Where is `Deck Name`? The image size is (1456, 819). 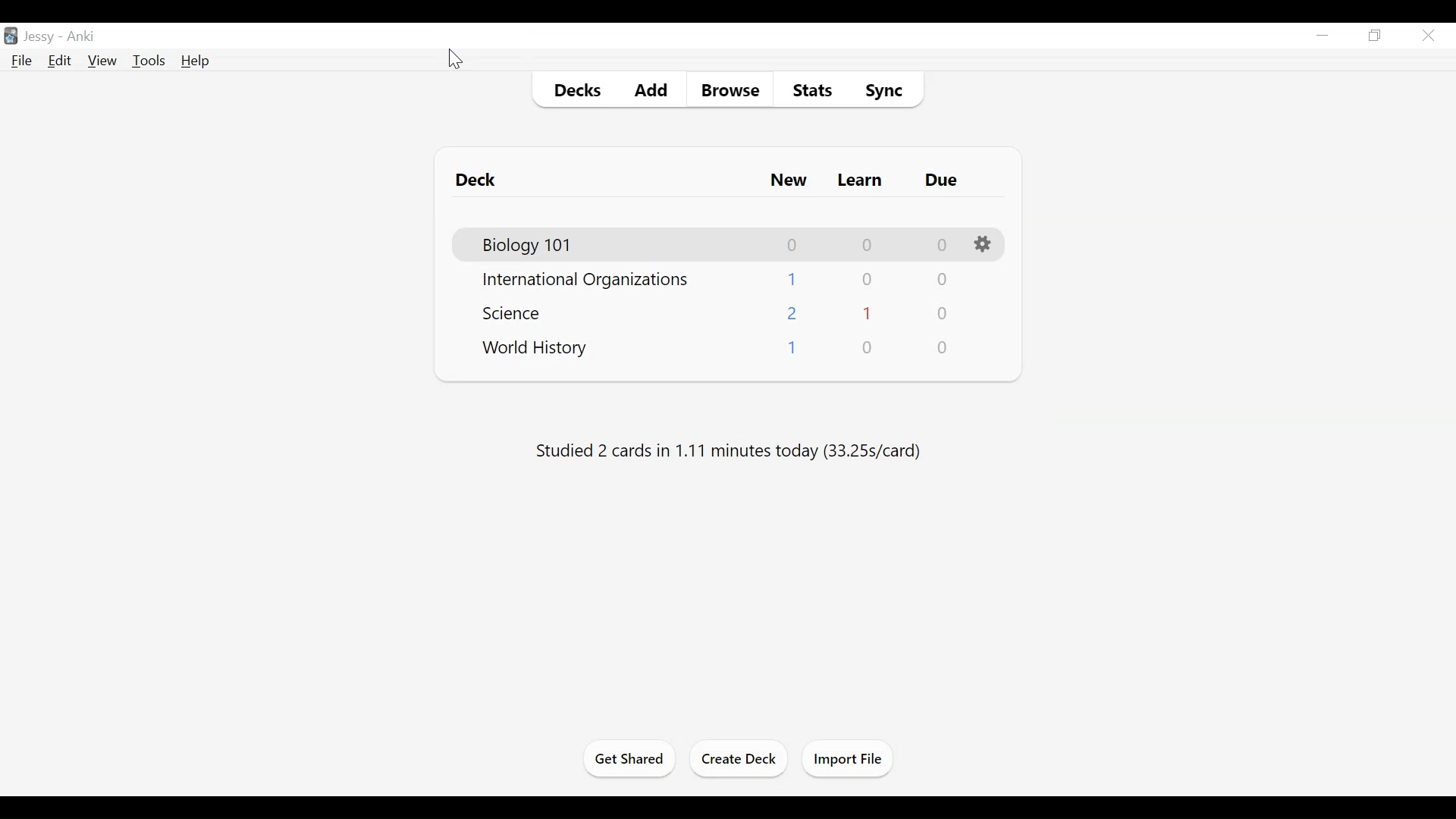 Deck Name is located at coordinates (529, 244).